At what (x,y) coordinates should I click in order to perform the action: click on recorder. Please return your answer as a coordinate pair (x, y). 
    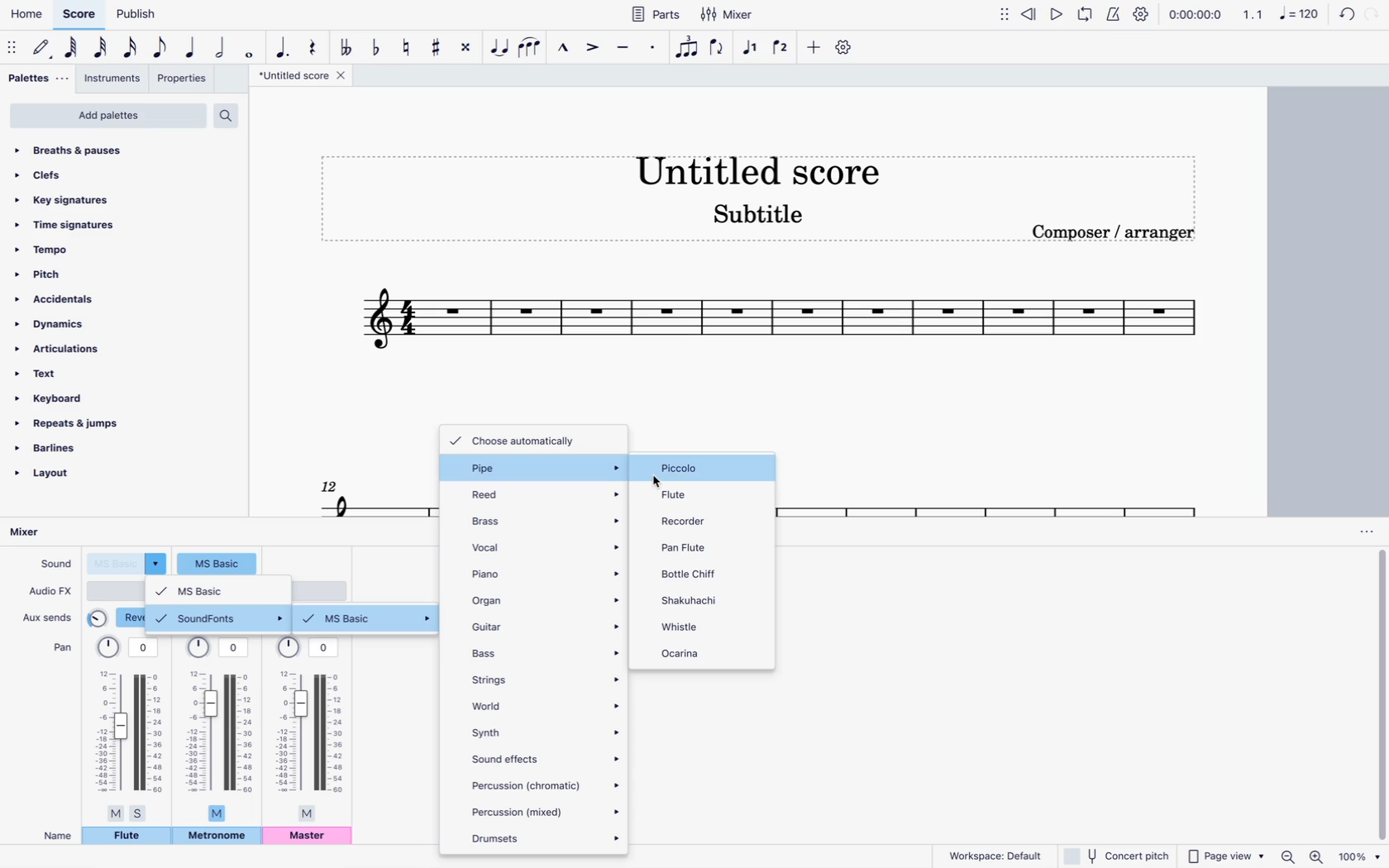
    Looking at the image, I should click on (693, 519).